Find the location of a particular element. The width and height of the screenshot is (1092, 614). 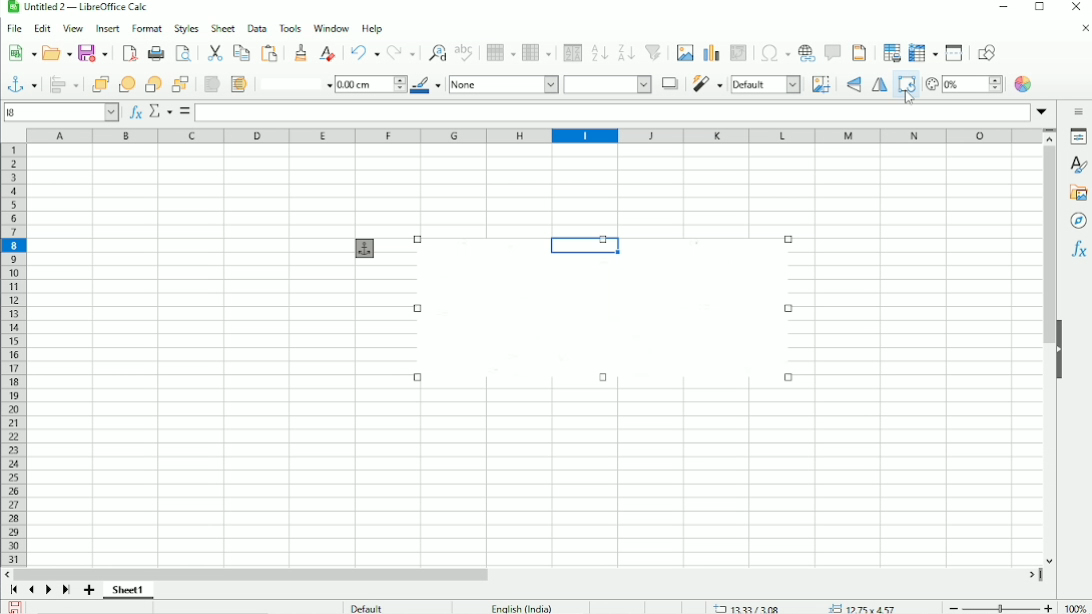

To background is located at coordinates (238, 84).